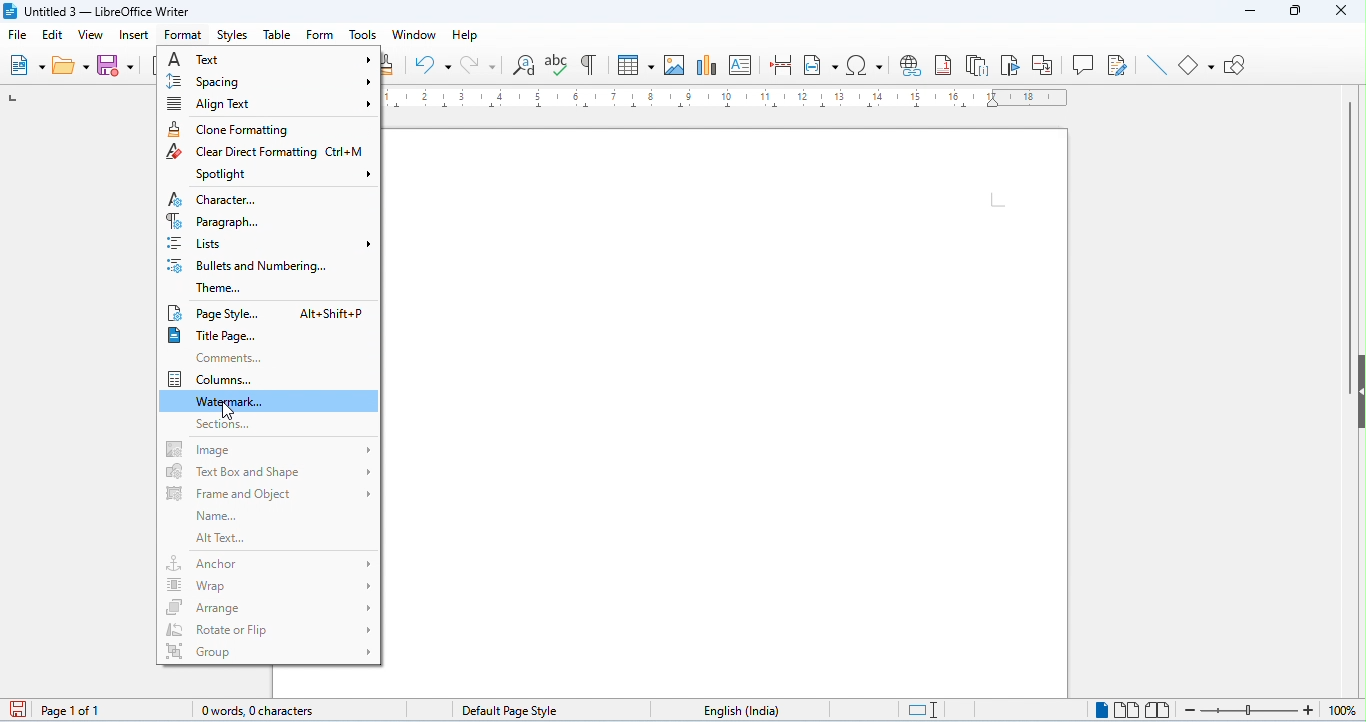 The image size is (1366, 722). Describe the element at coordinates (822, 64) in the screenshot. I see `insert field` at that location.